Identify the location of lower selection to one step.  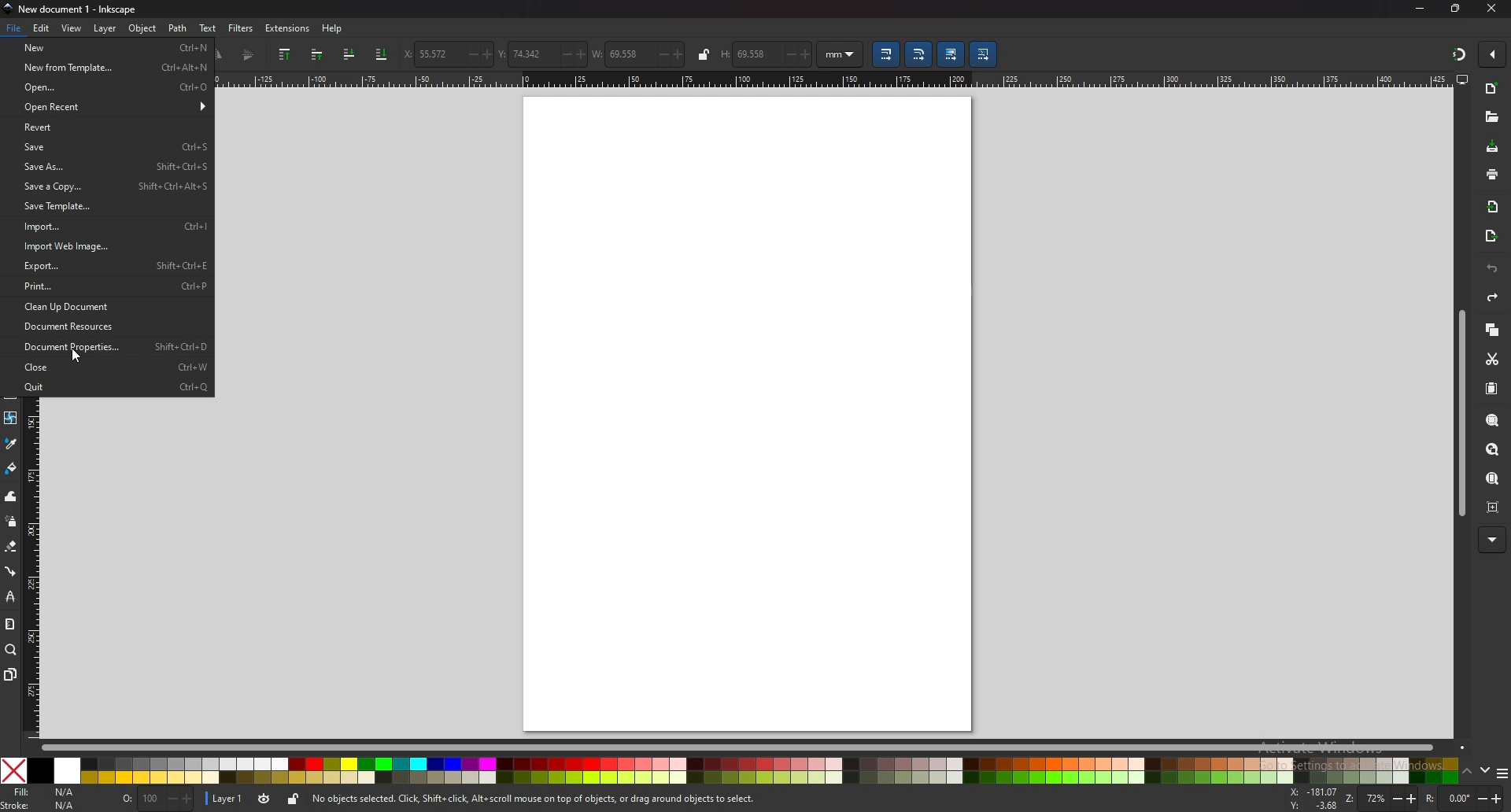
(349, 54).